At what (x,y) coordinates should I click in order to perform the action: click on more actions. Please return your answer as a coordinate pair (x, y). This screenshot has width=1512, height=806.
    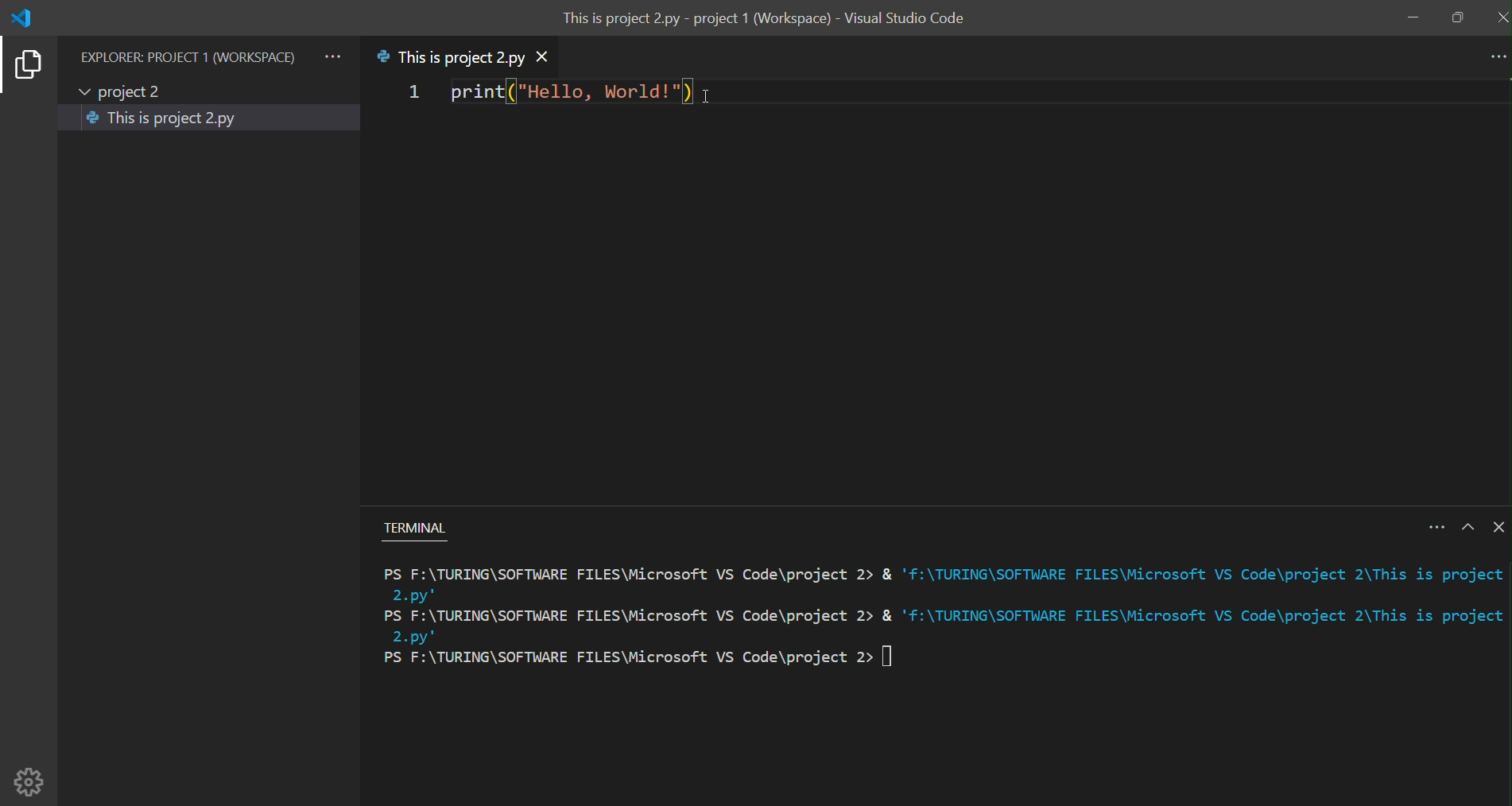
    Looking at the image, I should click on (1495, 58).